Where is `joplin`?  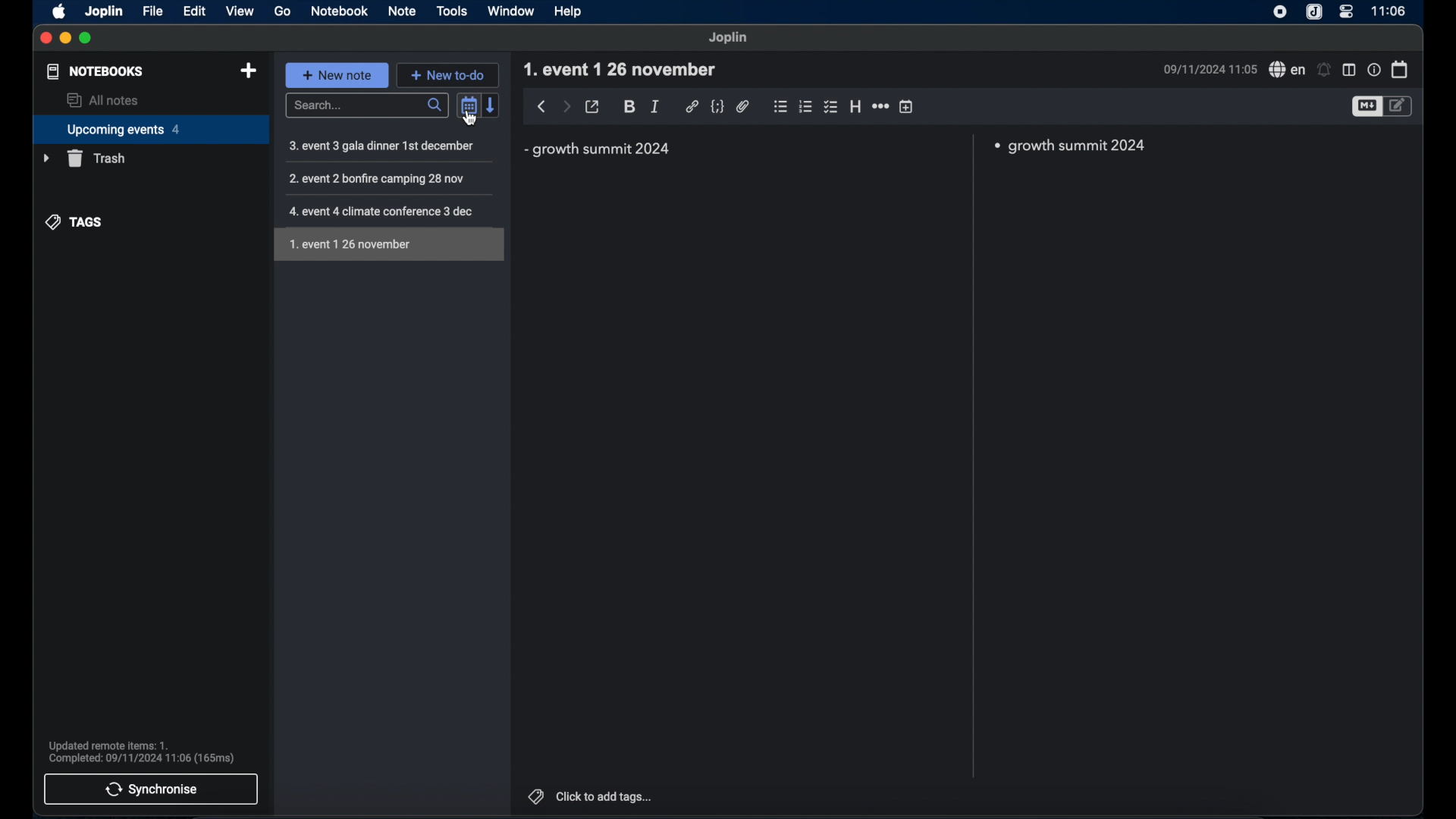
joplin is located at coordinates (105, 12).